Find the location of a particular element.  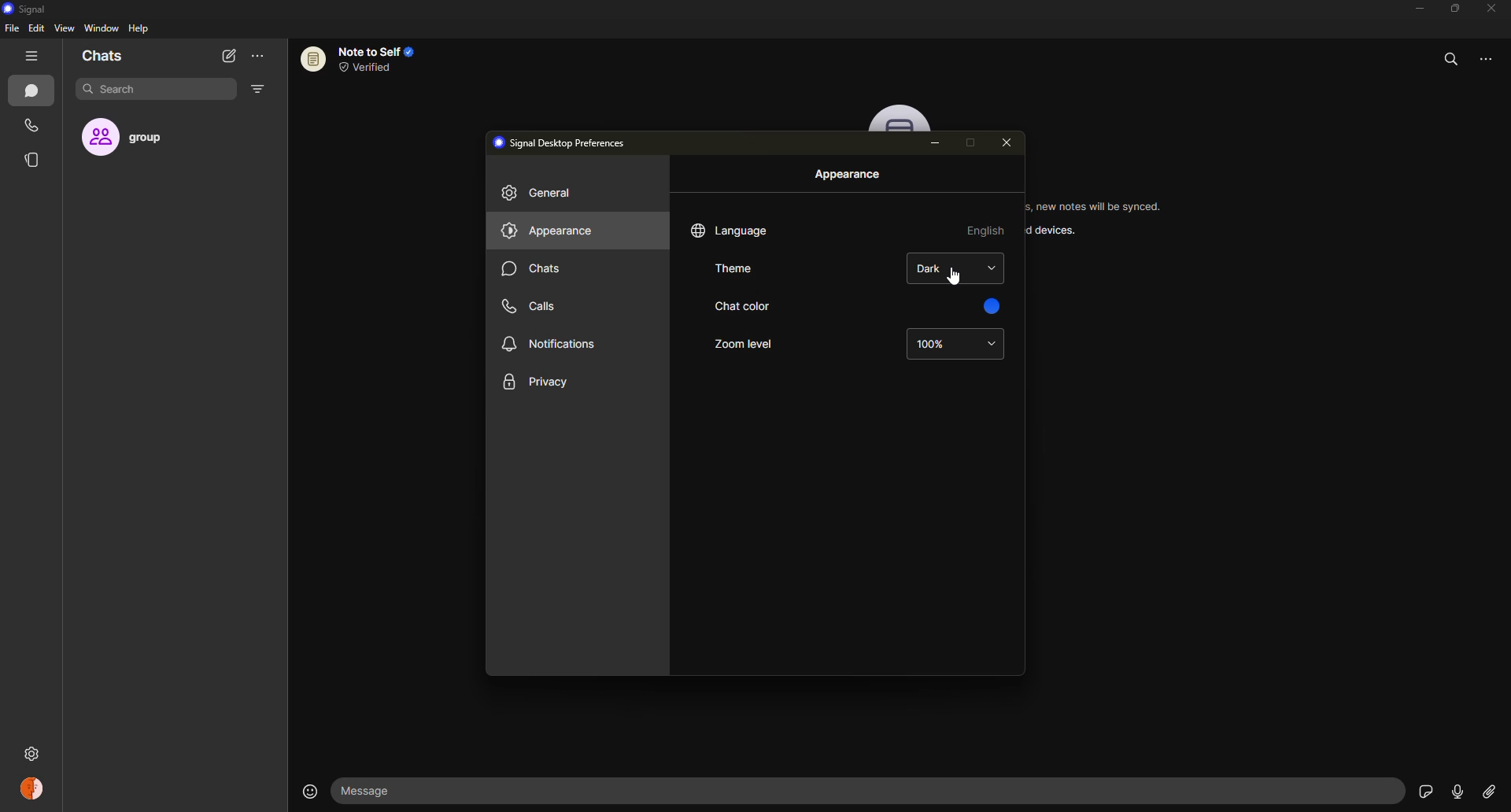

settings is located at coordinates (104, 754).